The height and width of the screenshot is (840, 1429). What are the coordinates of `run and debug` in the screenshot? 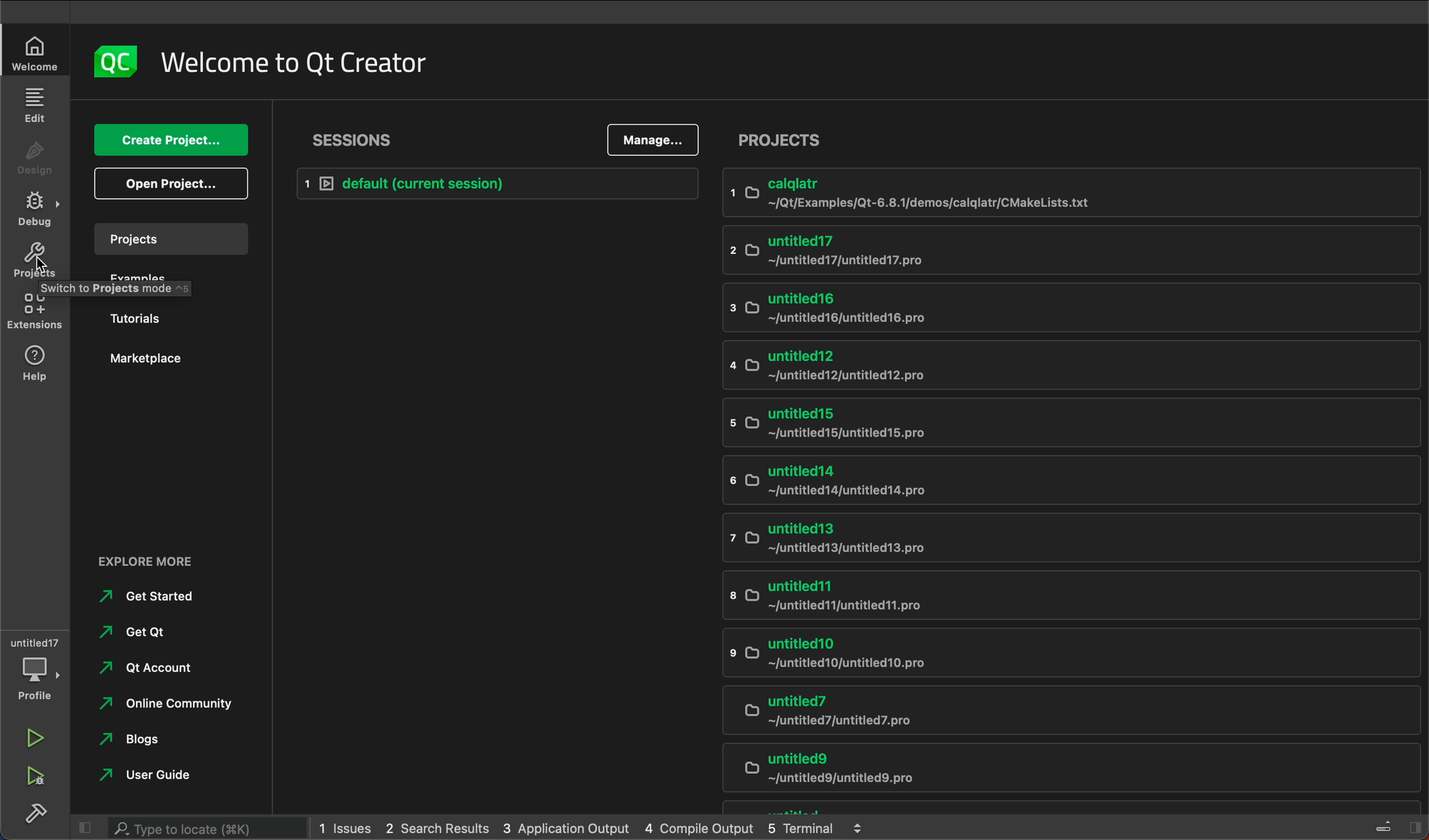 It's located at (36, 775).